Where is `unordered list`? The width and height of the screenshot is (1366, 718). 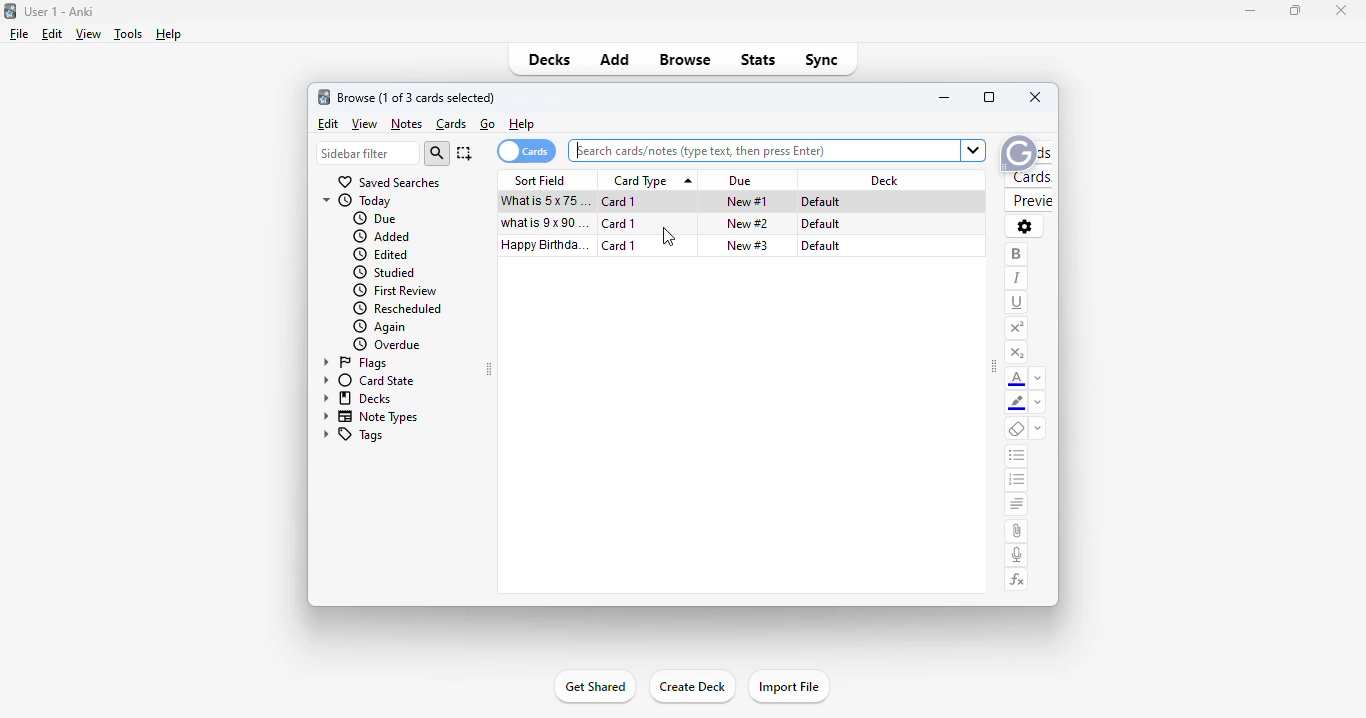 unordered list is located at coordinates (1018, 455).